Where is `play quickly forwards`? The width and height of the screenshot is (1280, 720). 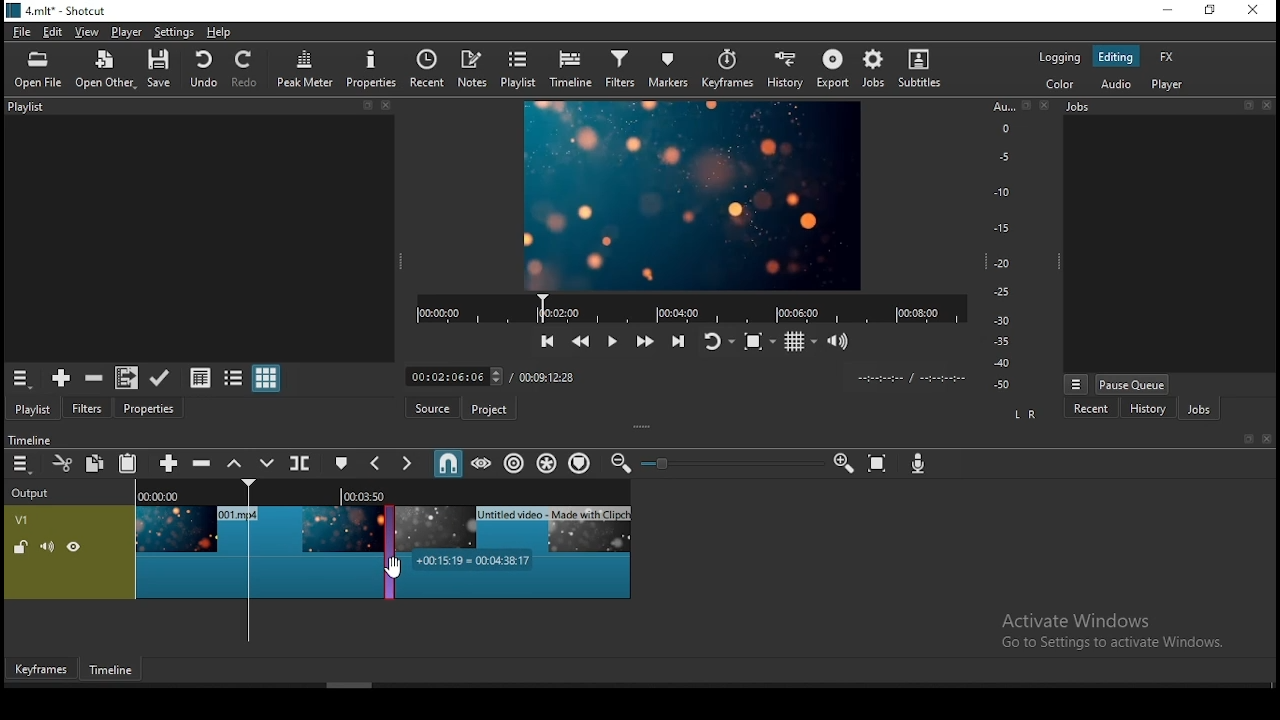 play quickly forwards is located at coordinates (645, 342).